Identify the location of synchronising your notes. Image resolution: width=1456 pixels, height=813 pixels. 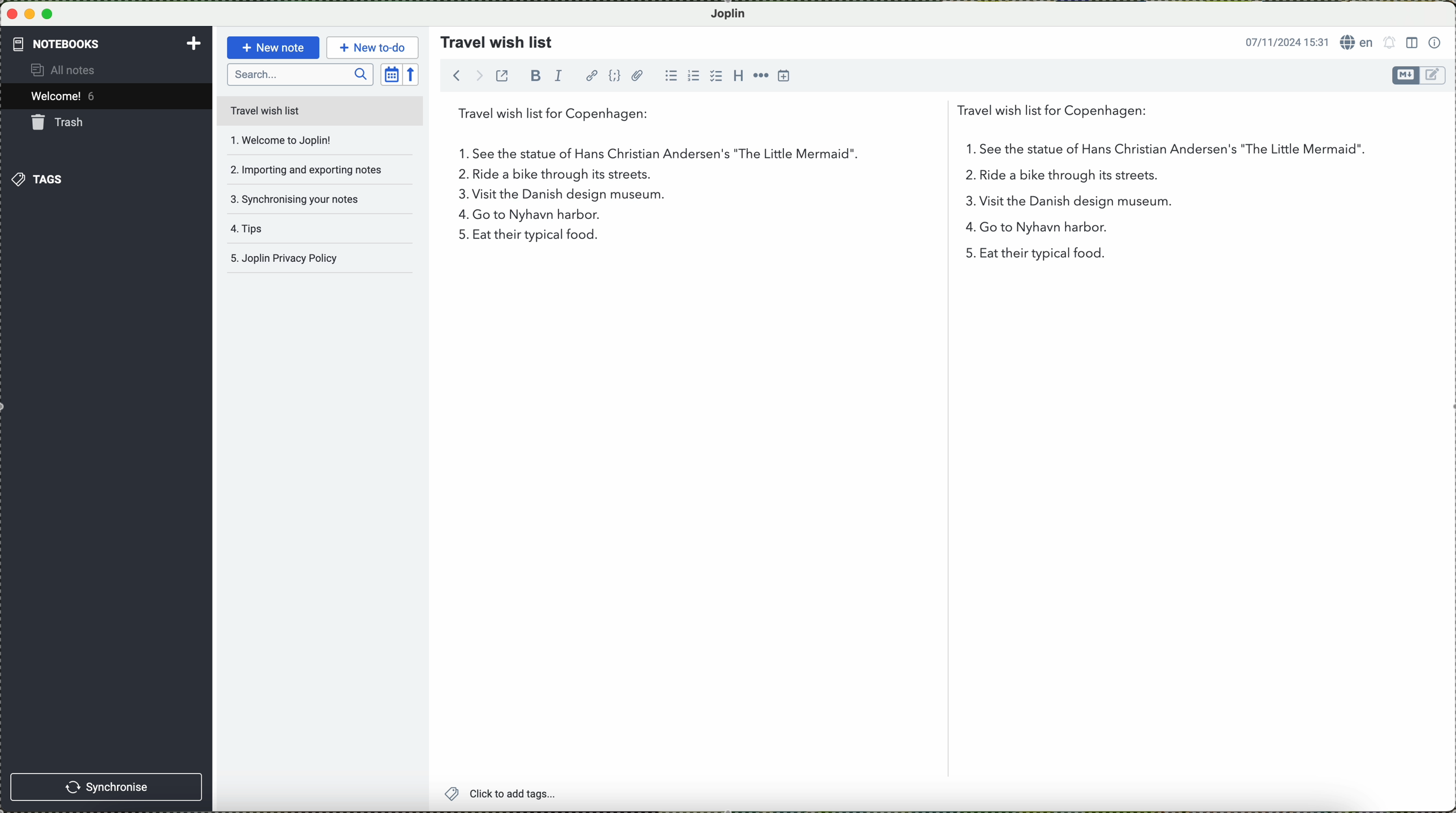
(304, 198).